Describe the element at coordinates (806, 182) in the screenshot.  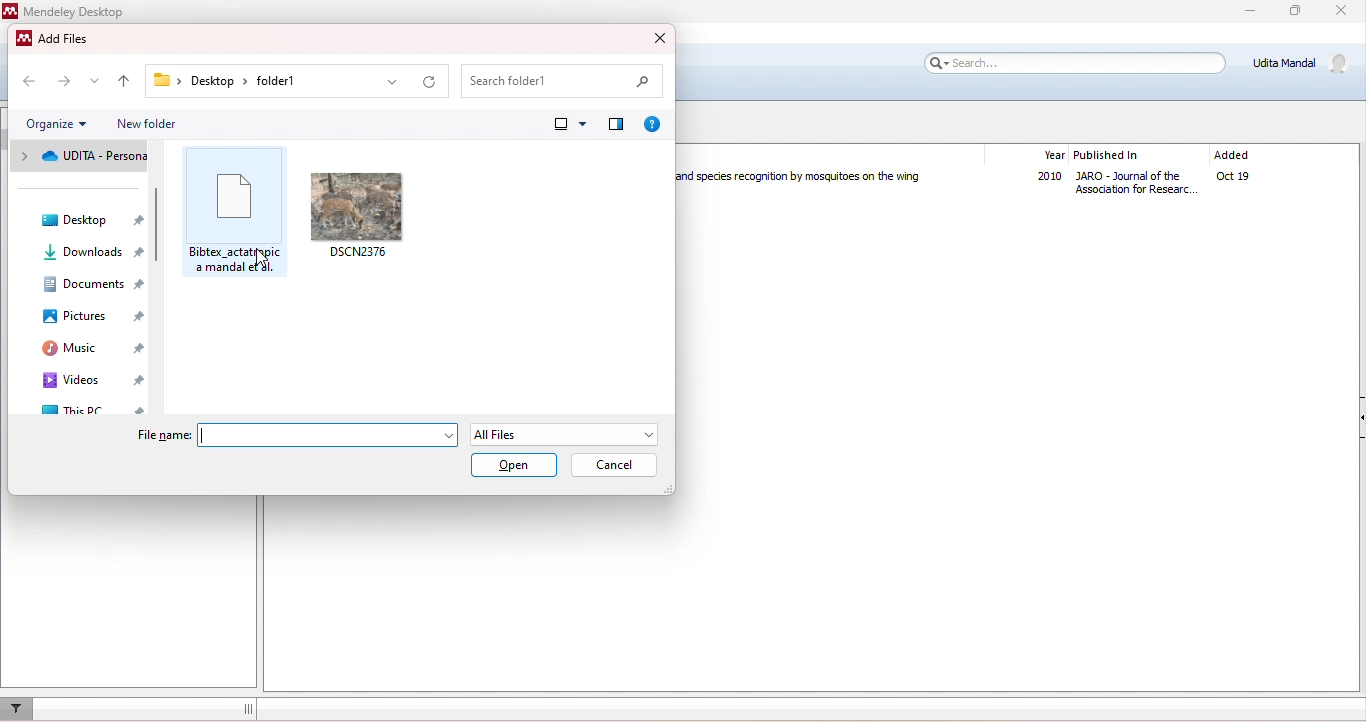
I see `Humming in Tune: Sex and Species Recognition by Mosquitoes on the Wing` at that location.